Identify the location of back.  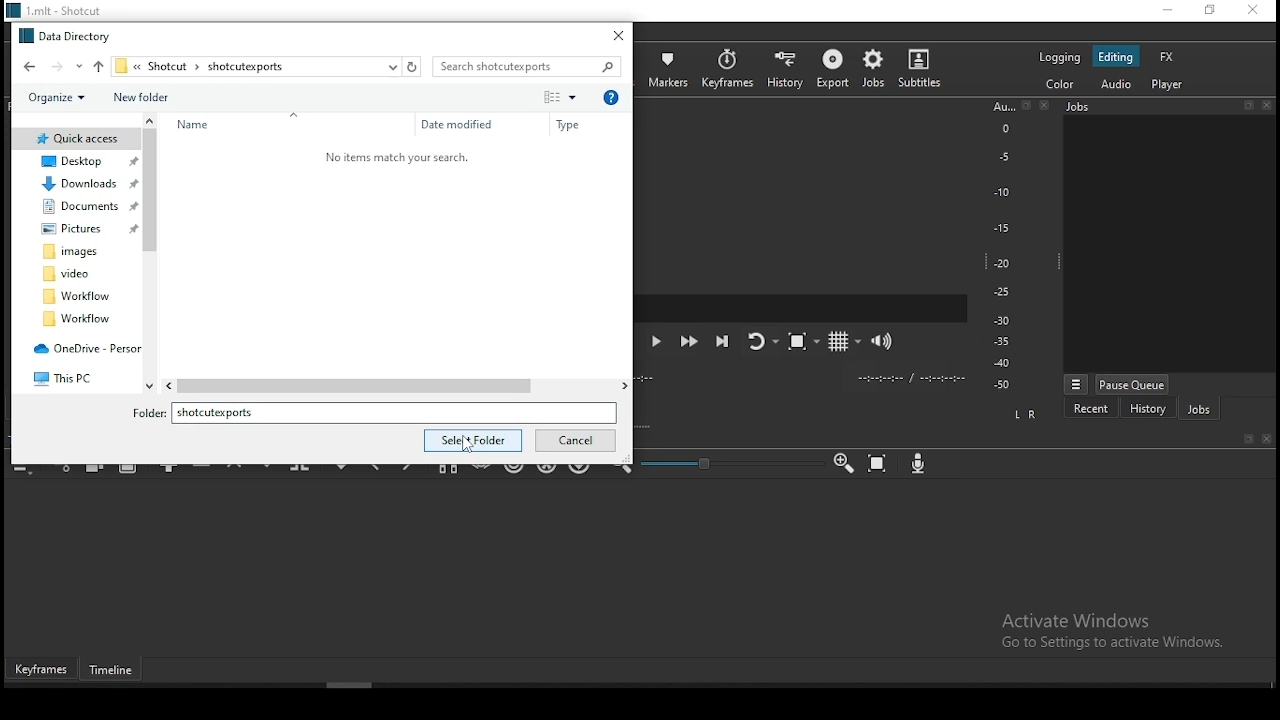
(24, 66).